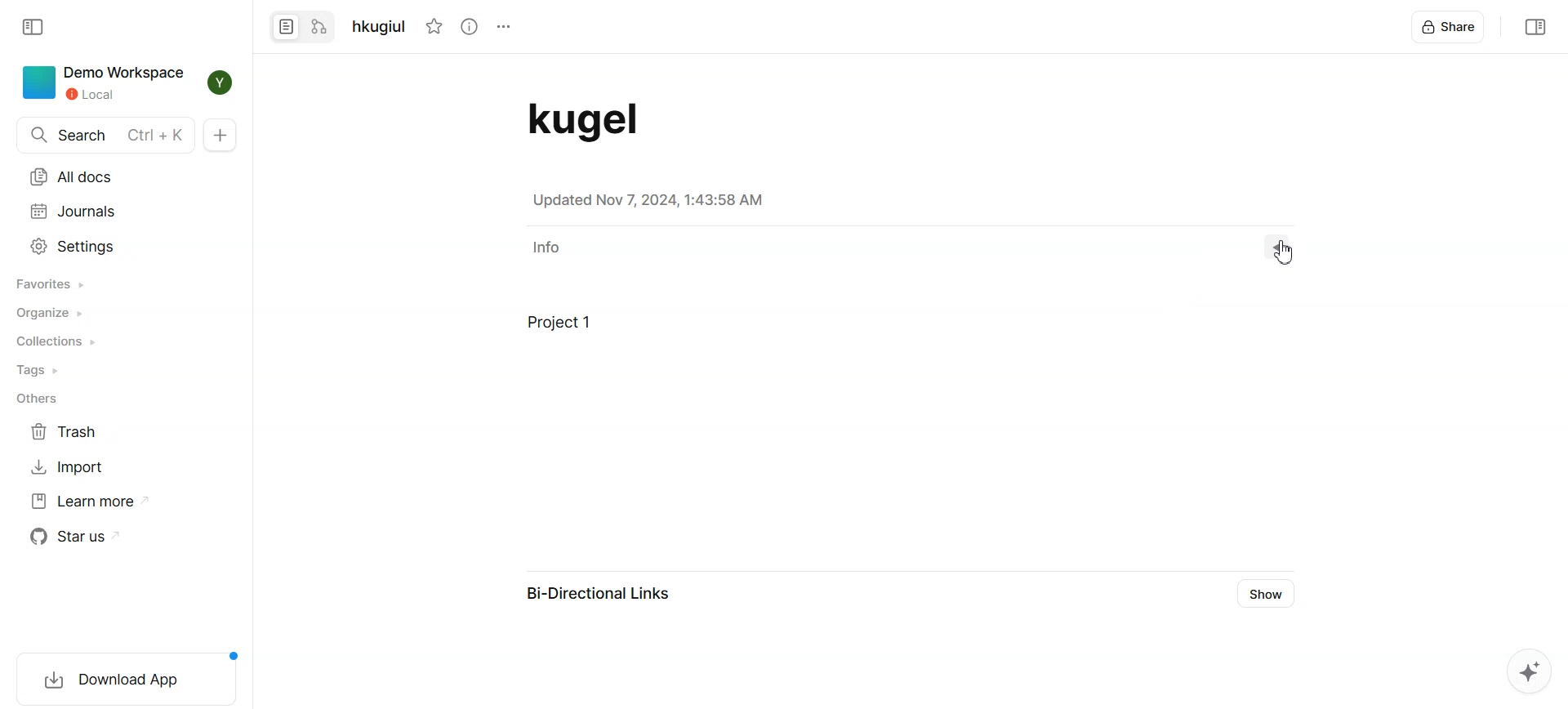 This screenshot has width=1568, height=709. What do you see at coordinates (1535, 27) in the screenshot?
I see `Collapse sidebar` at bounding box center [1535, 27].